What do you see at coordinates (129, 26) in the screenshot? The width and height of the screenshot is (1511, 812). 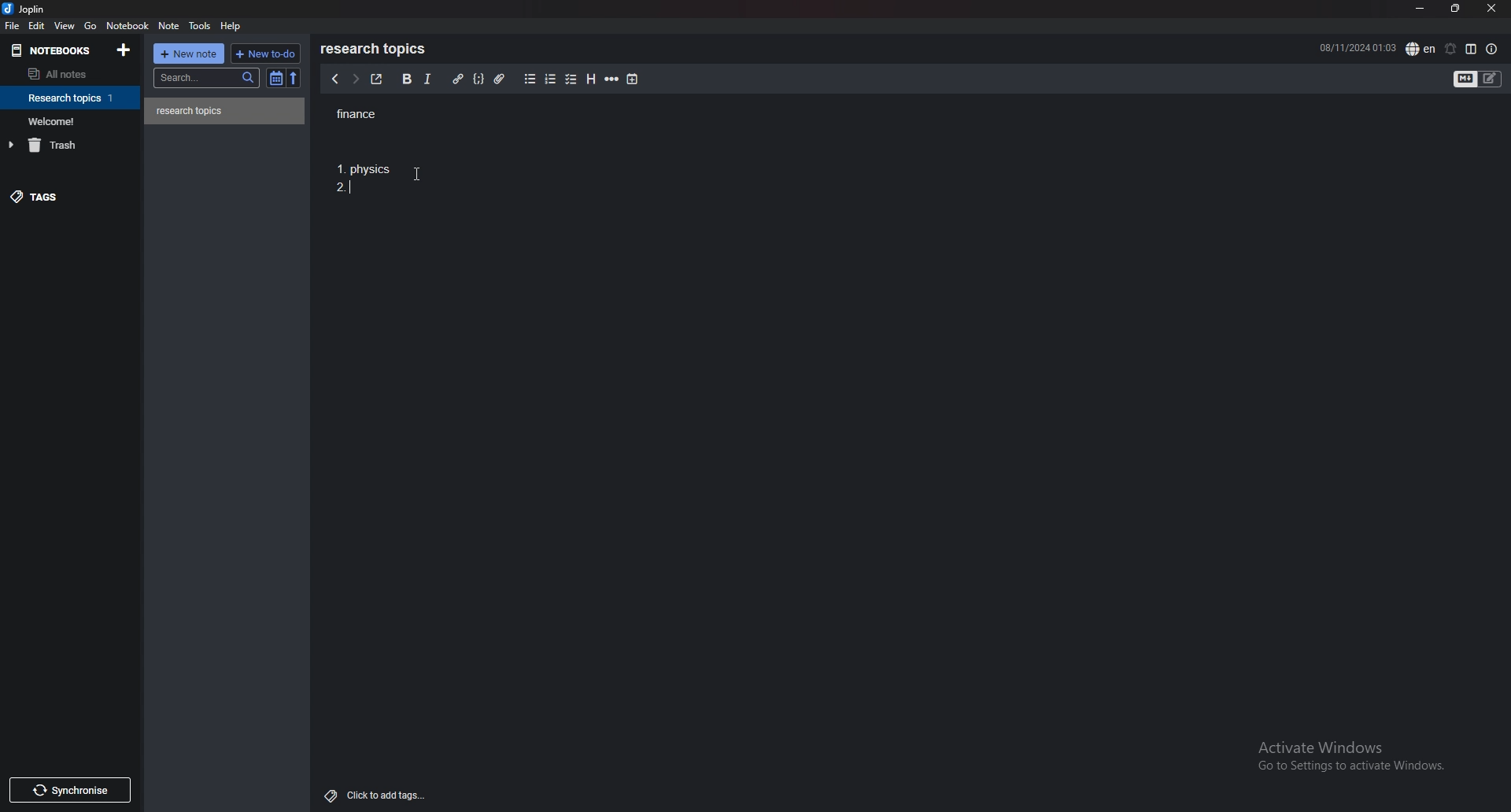 I see `notebook` at bounding box center [129, 26].